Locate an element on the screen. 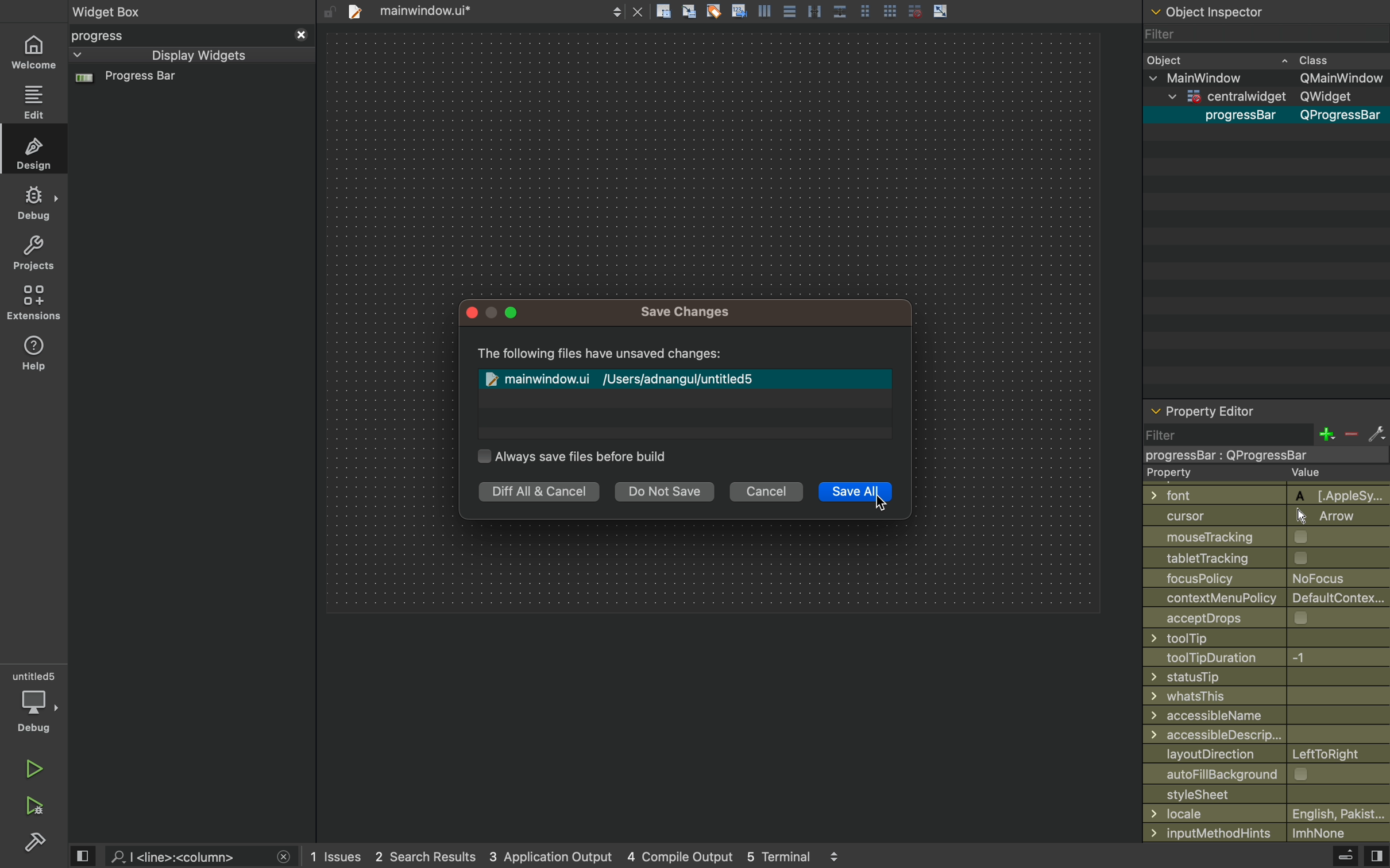 The width and height of the screenshot is (1390, 868). inputmethodhints is located at coordinates (1265, 831).